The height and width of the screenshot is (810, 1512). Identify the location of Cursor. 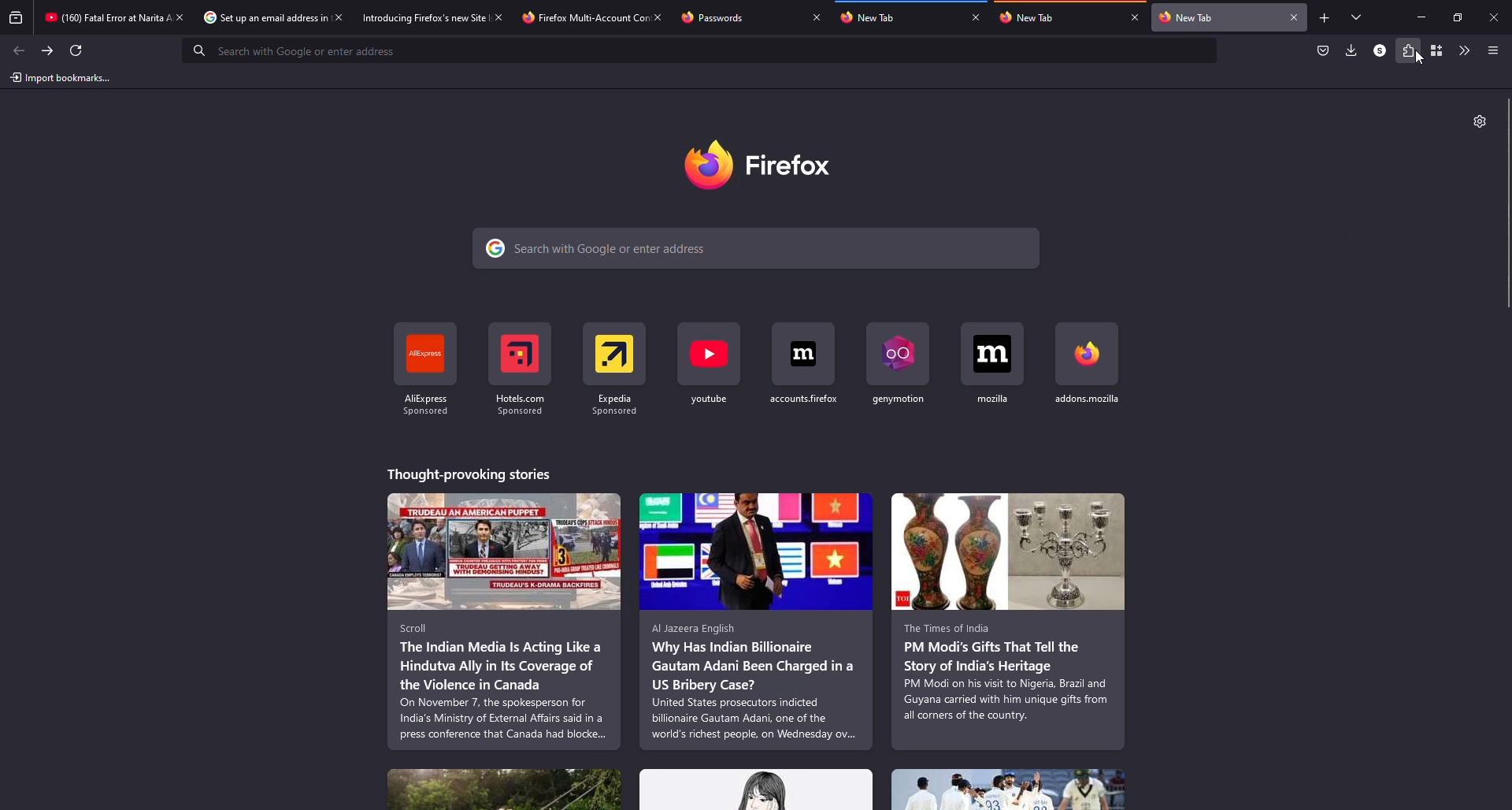
(1419, 57).